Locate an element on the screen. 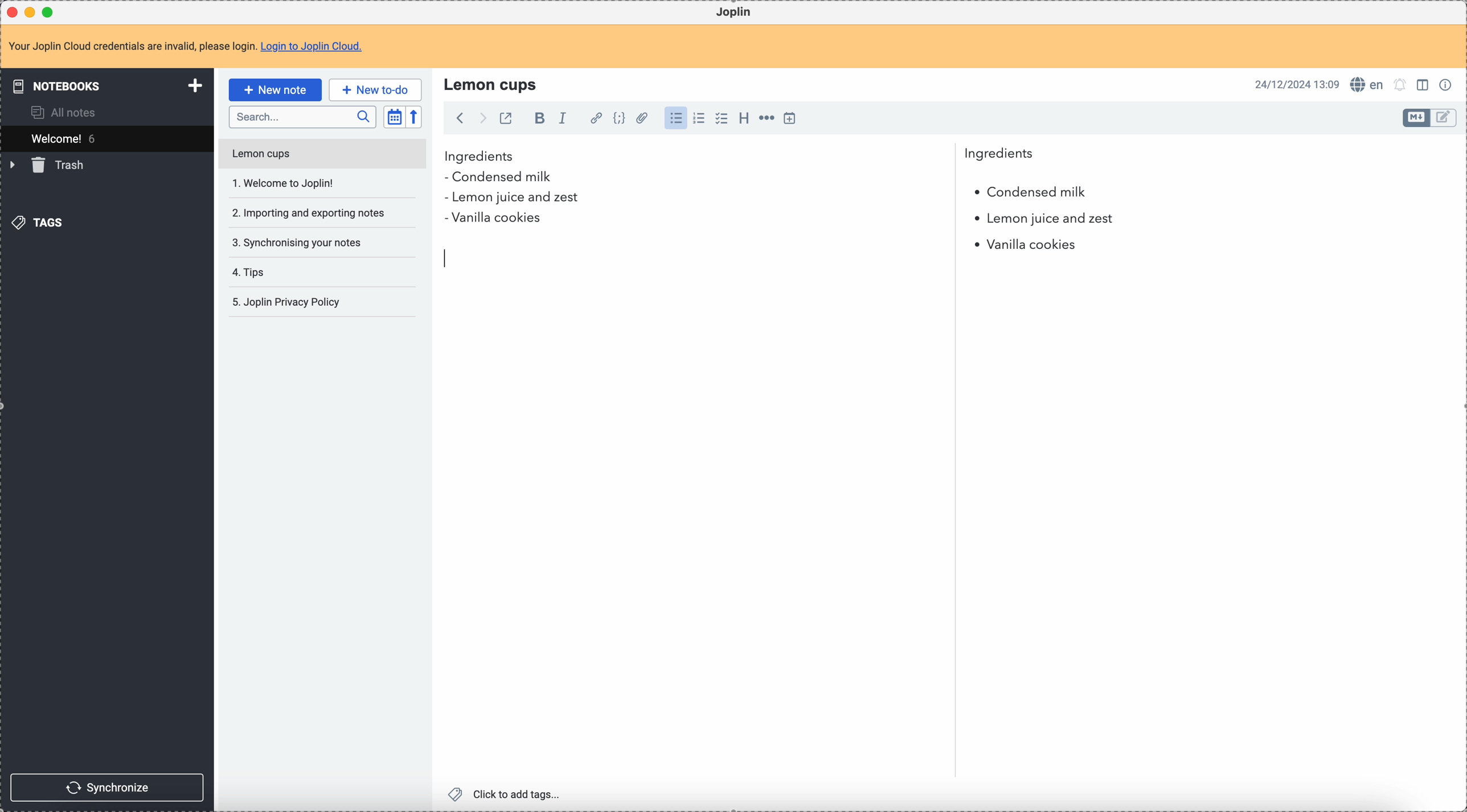 The image size is (1467, 812). date and hour is located at coordinates (1297, 84).